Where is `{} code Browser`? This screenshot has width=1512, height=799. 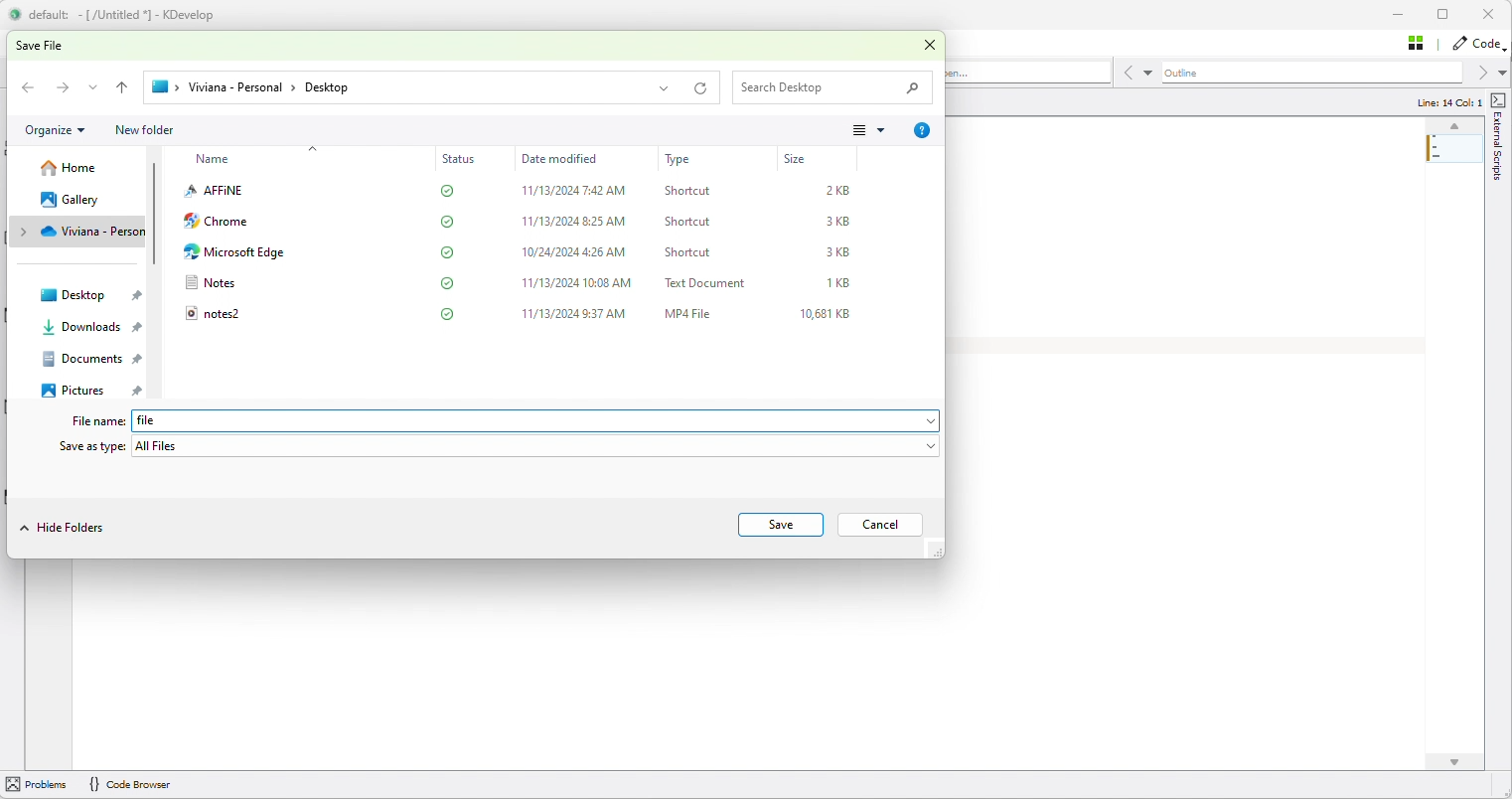
{} code Browser is located at coordinates (129, 783).